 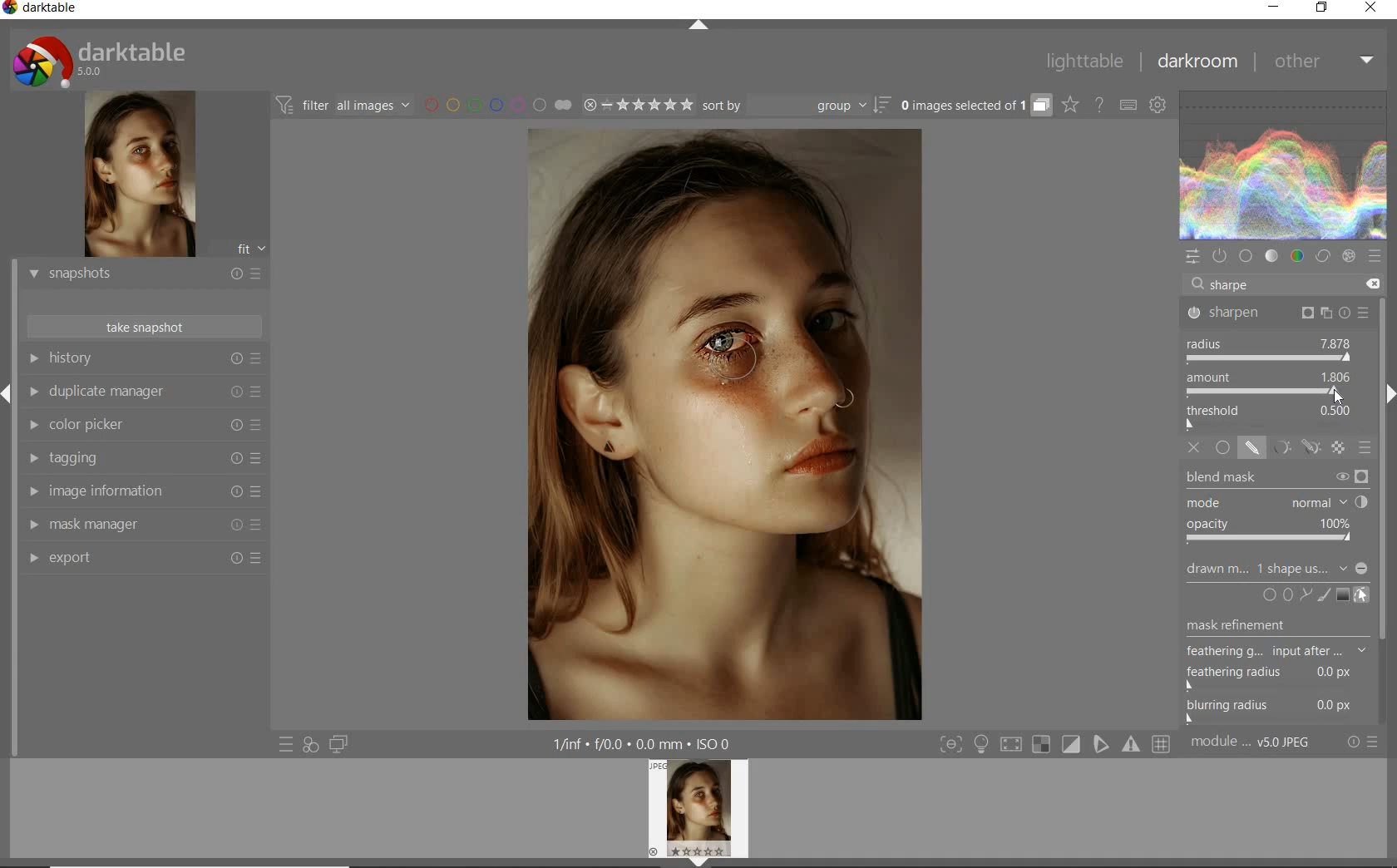 What do you see at coordinates (973, 105) in the screenshot?
I see `expand grouped images` at bounding box center [973, 105].